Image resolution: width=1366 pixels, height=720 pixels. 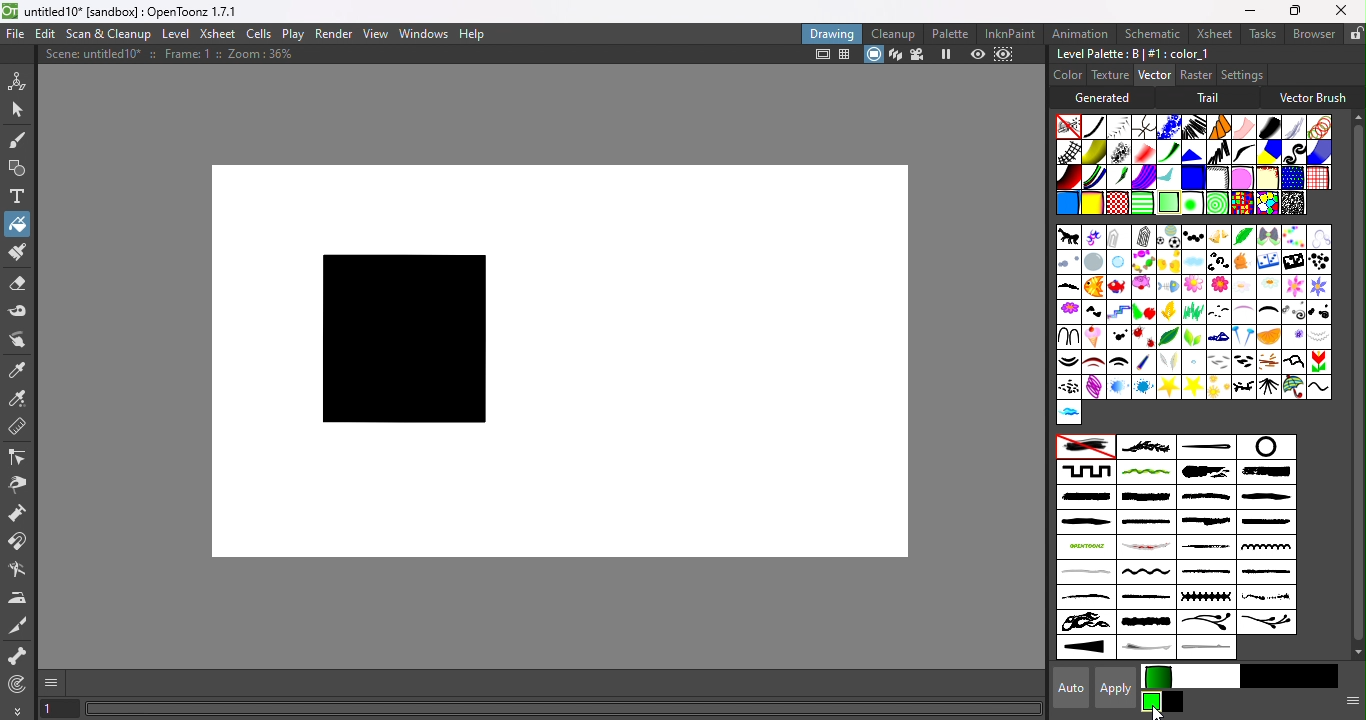 What do you see at coordinates (1313, 33) in the screenshot?
I see `Browser` at bounding box center [1313, 33].